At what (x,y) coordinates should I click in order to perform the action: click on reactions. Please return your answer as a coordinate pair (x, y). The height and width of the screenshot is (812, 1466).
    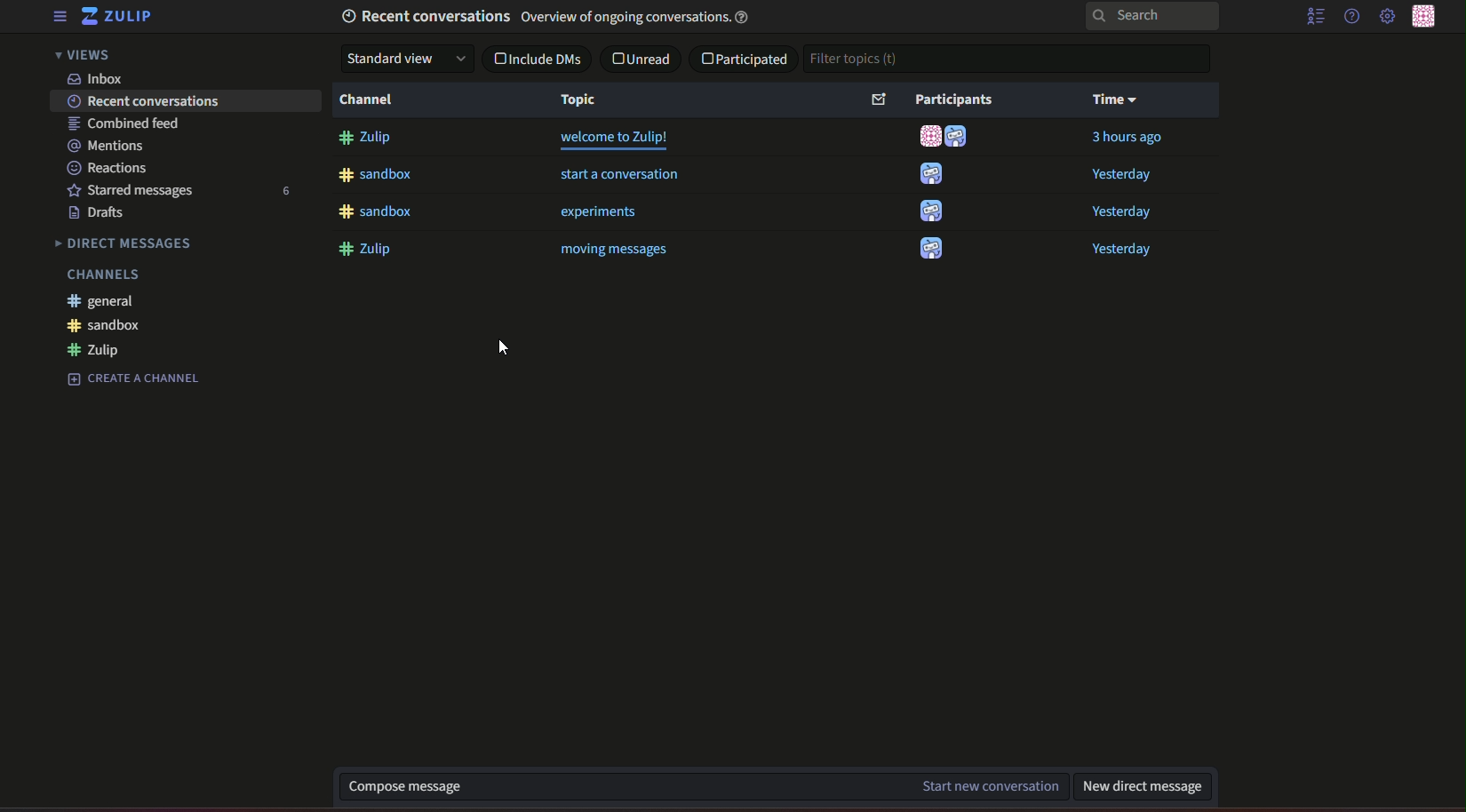
    Looking at the image, I should click on (108, 168).